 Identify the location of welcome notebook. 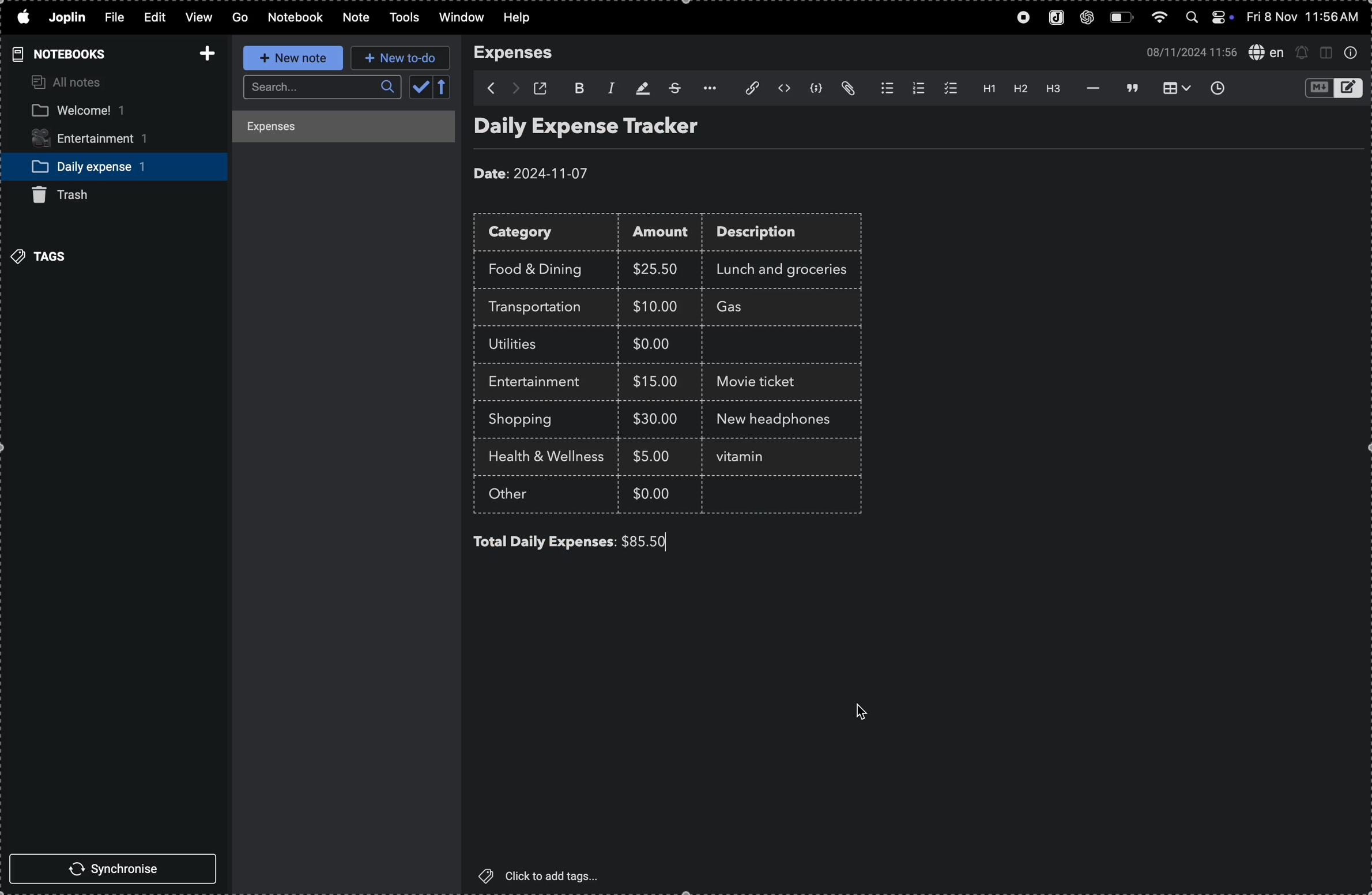
(101, 111).